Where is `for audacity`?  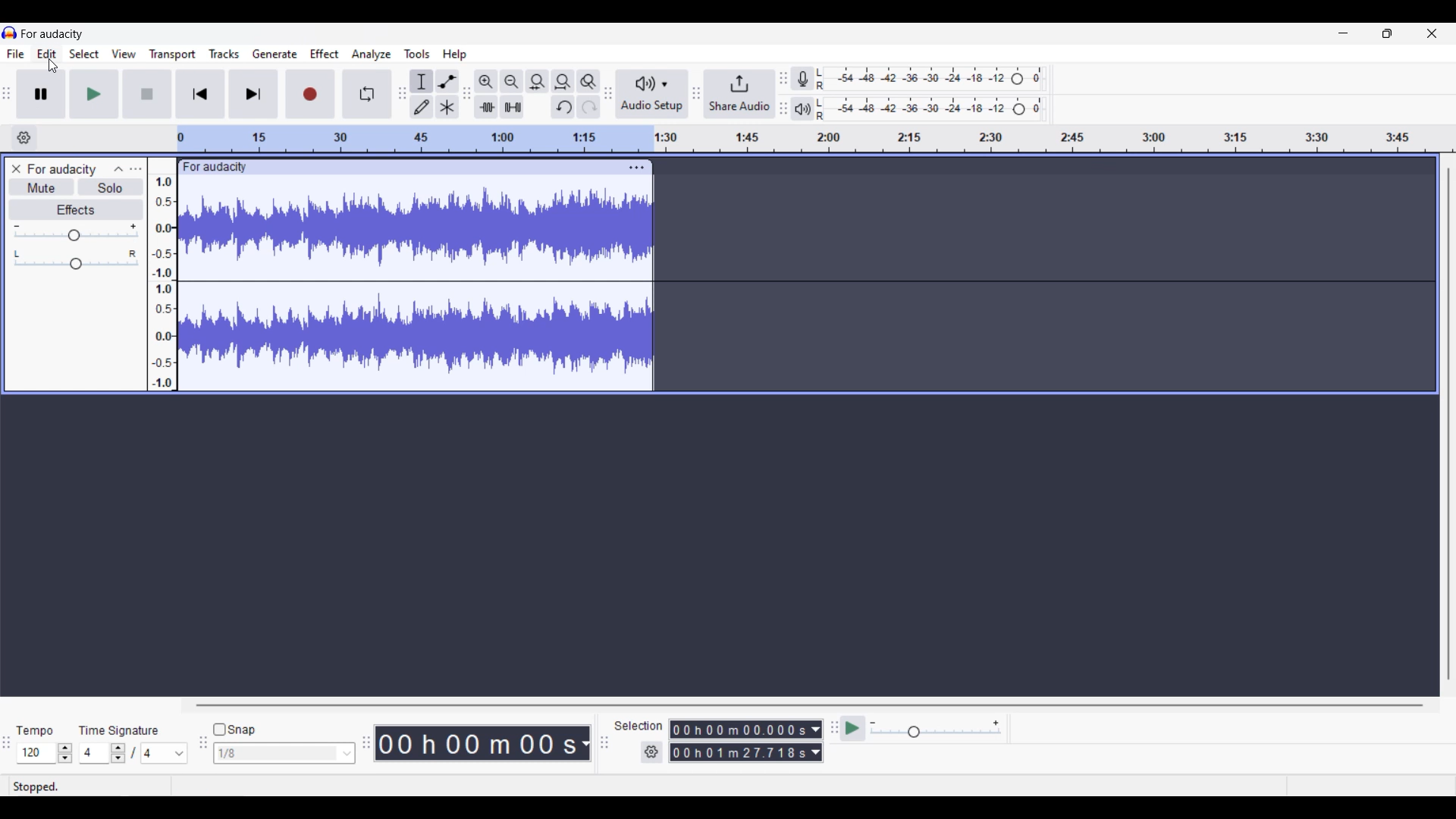 for audacity is located at coordinates (52, 34).